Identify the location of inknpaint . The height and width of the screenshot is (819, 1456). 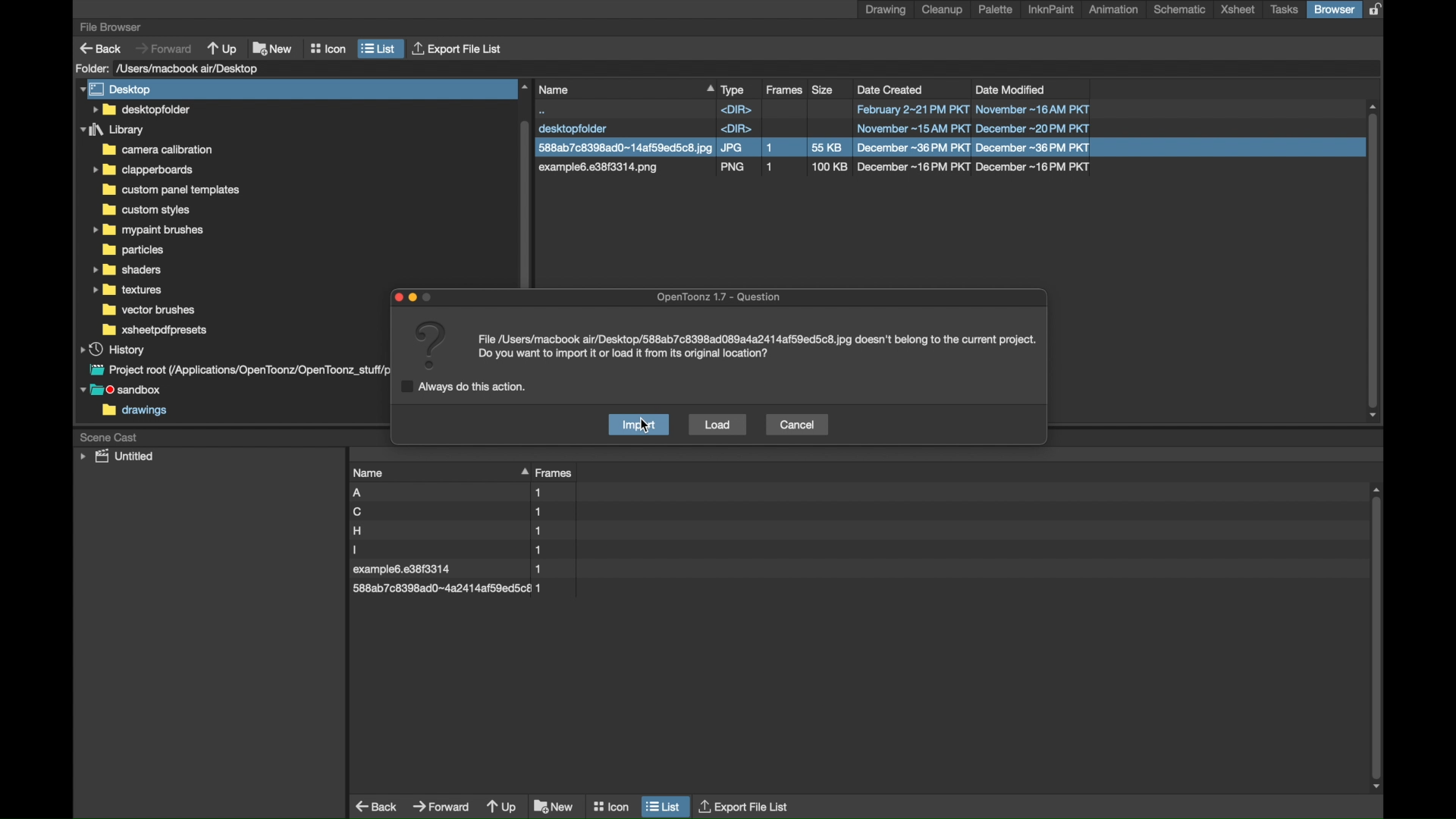
(1051, 10).